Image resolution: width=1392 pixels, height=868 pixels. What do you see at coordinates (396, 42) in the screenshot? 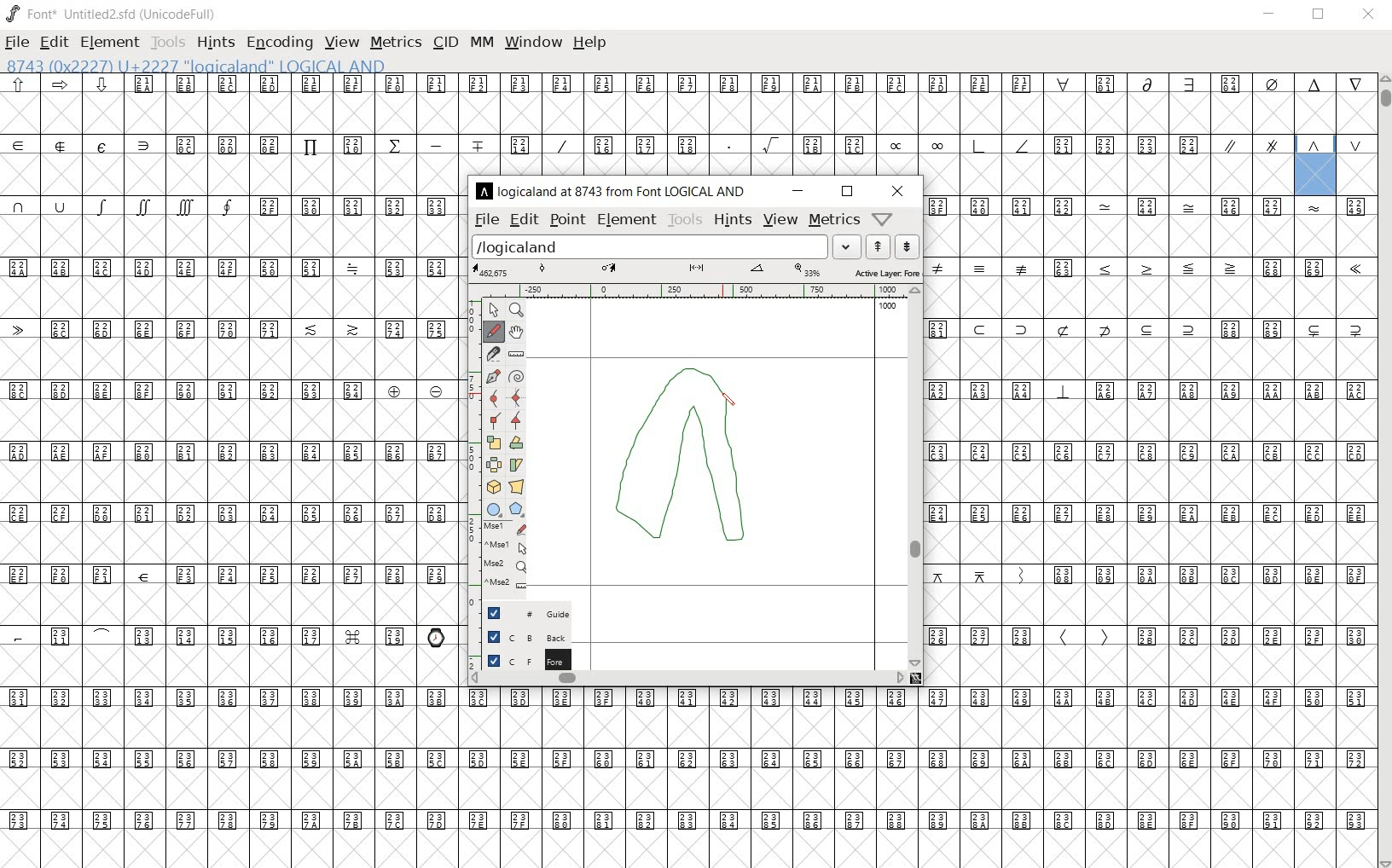
I see `metrics` at bounding box center [396, 42].